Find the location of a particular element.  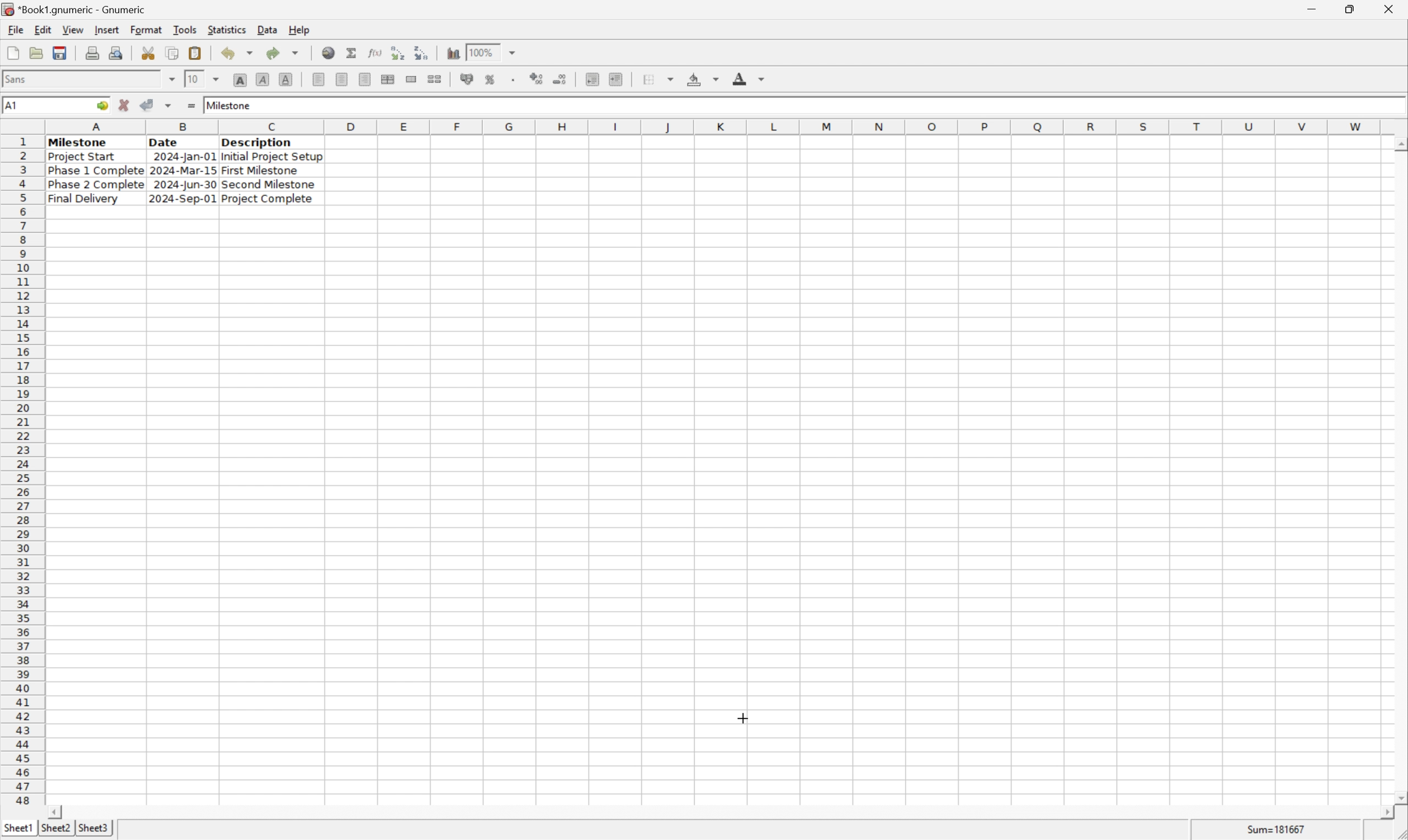

Sort the selected region in increasing order based on the first column selected is located at coordinates (395, 53).